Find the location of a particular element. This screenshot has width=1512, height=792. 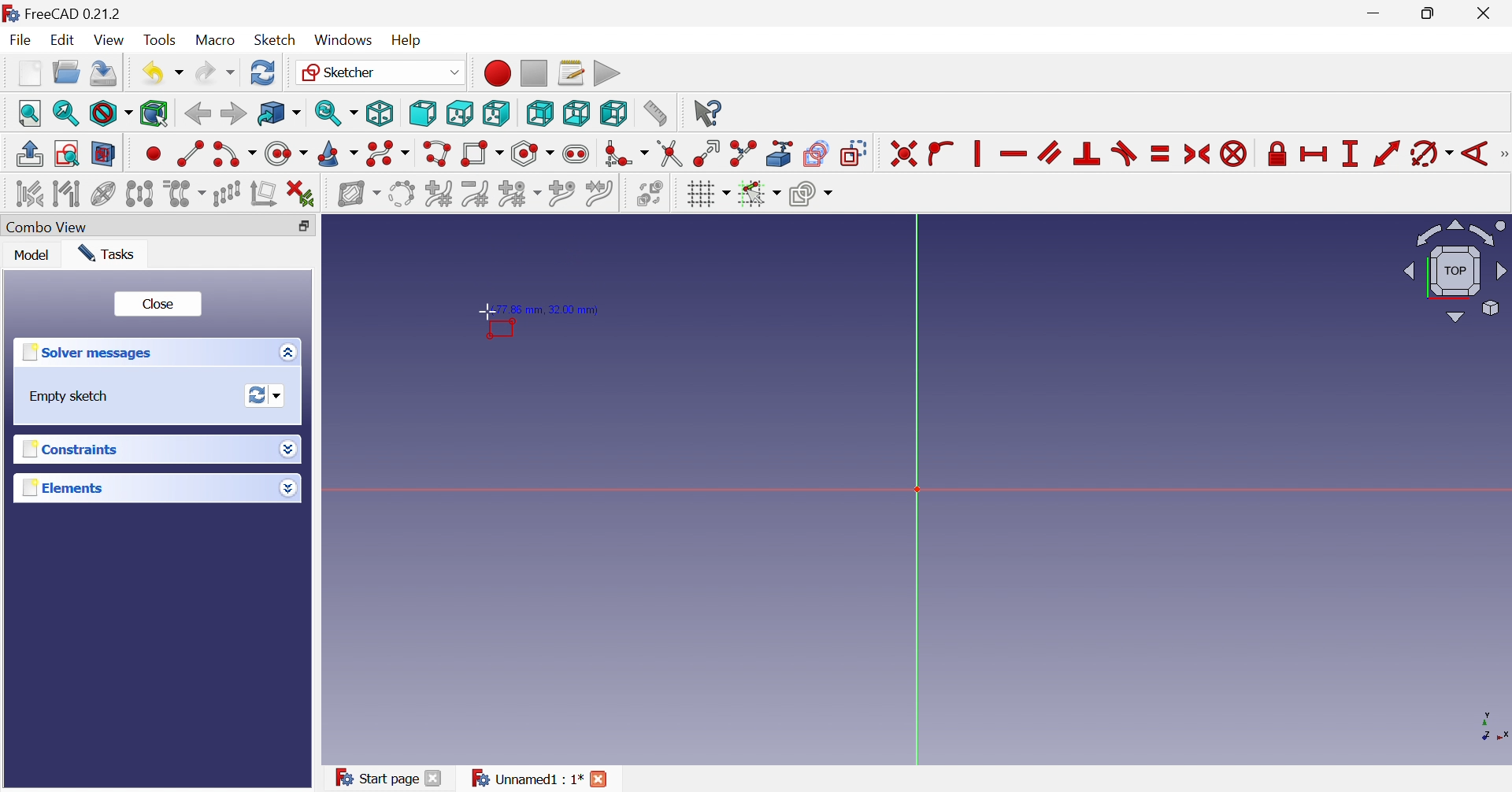

New is located at coordinates (29, 73).